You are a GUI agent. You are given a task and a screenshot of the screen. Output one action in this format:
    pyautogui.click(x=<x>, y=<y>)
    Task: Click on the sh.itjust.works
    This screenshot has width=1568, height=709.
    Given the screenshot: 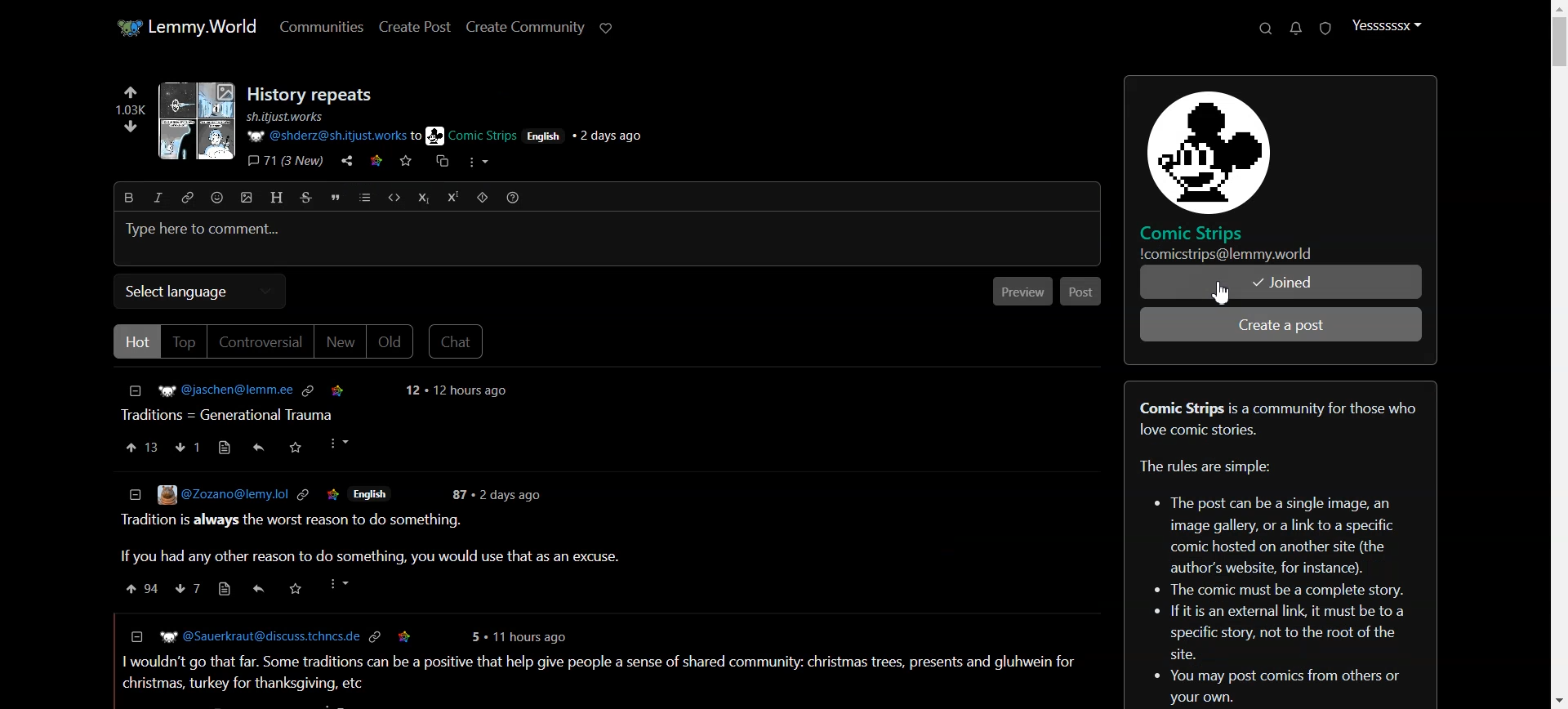 What is the action you would take?
    pyautogui.click(x=287, y=117)
    